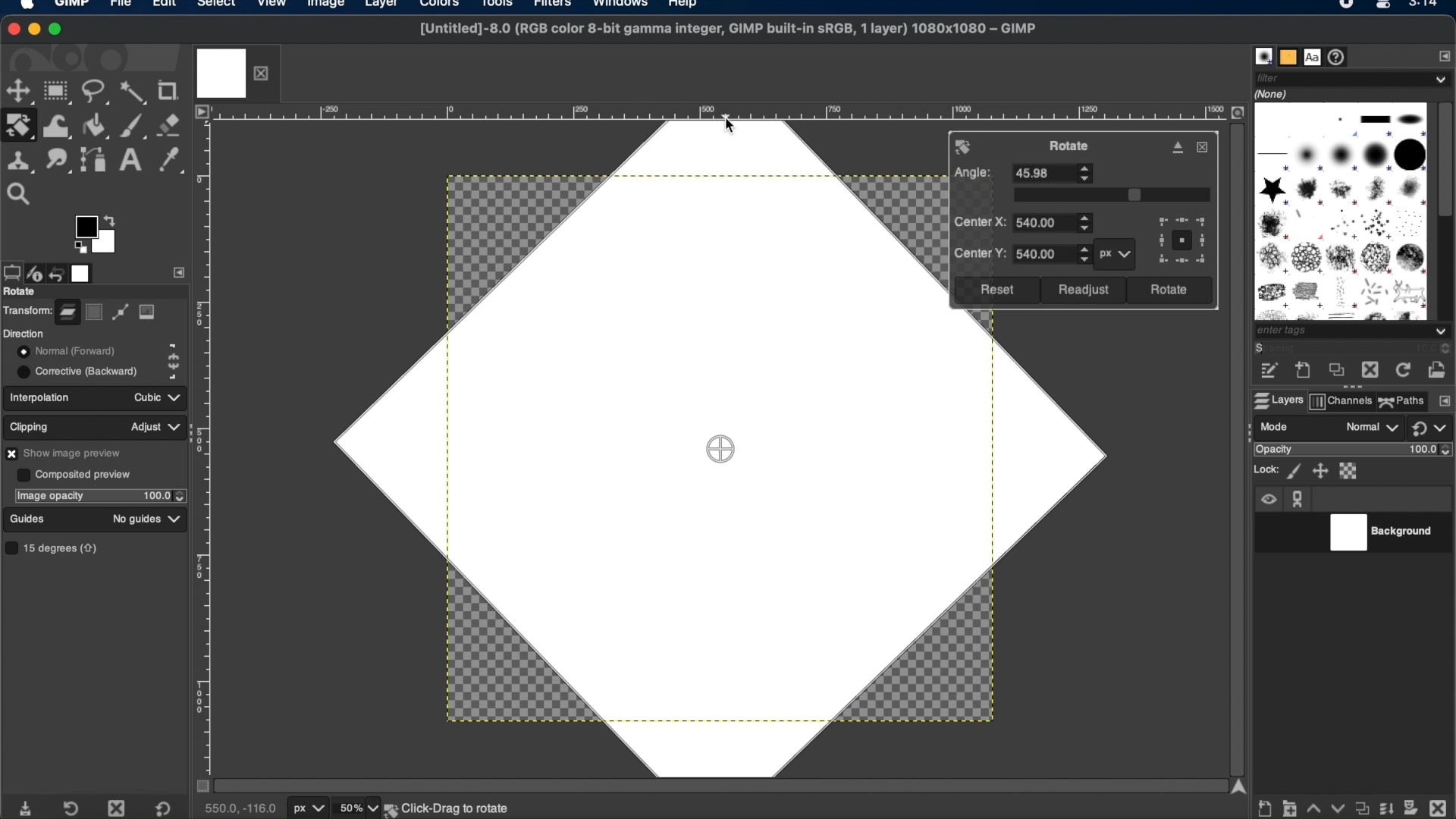  Describe the element at coordinates (207, 444) in the screenshot. I see `margin` at that location.